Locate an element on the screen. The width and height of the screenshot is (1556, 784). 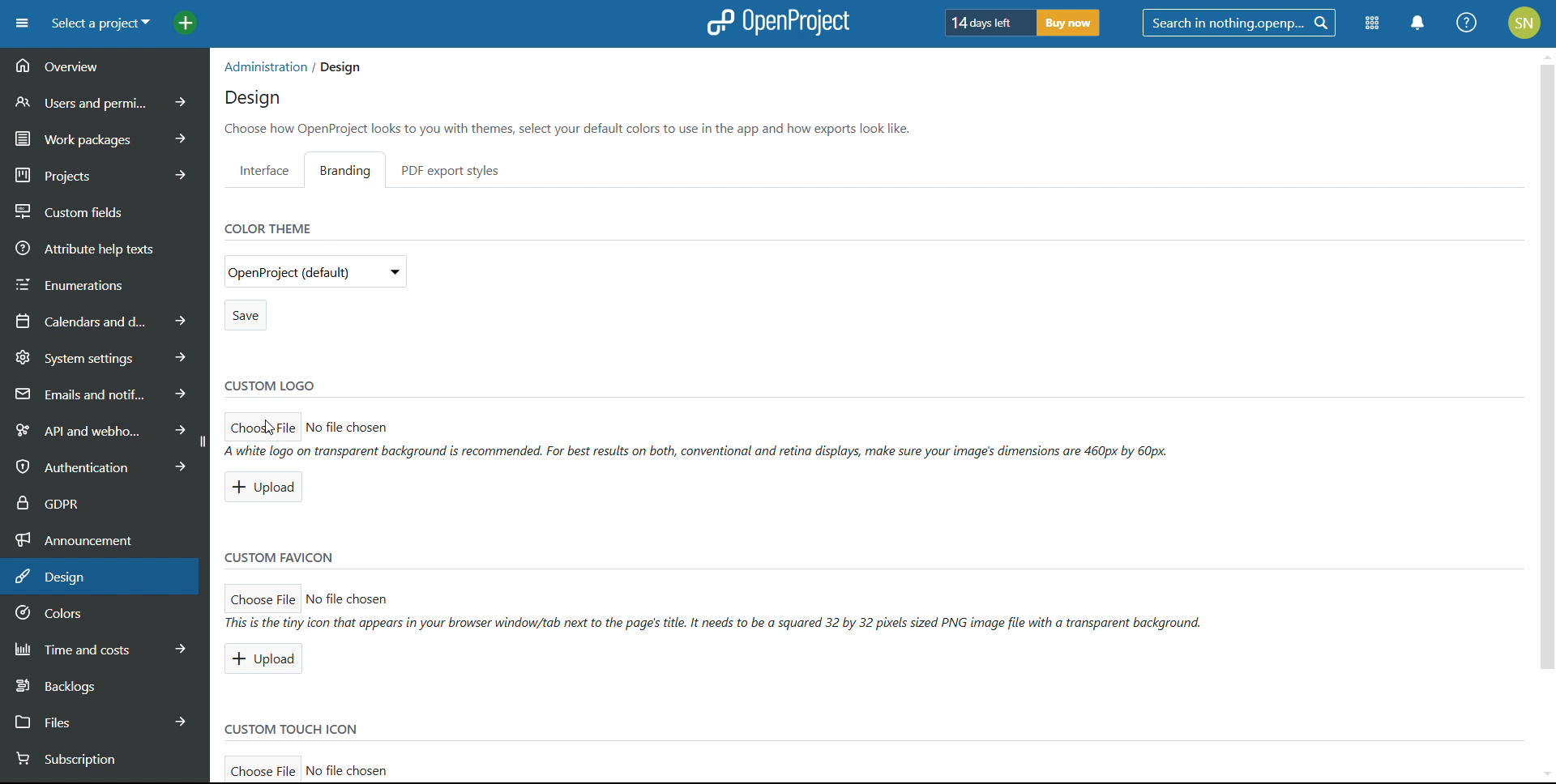
search is located at coordinates (1238, 23).